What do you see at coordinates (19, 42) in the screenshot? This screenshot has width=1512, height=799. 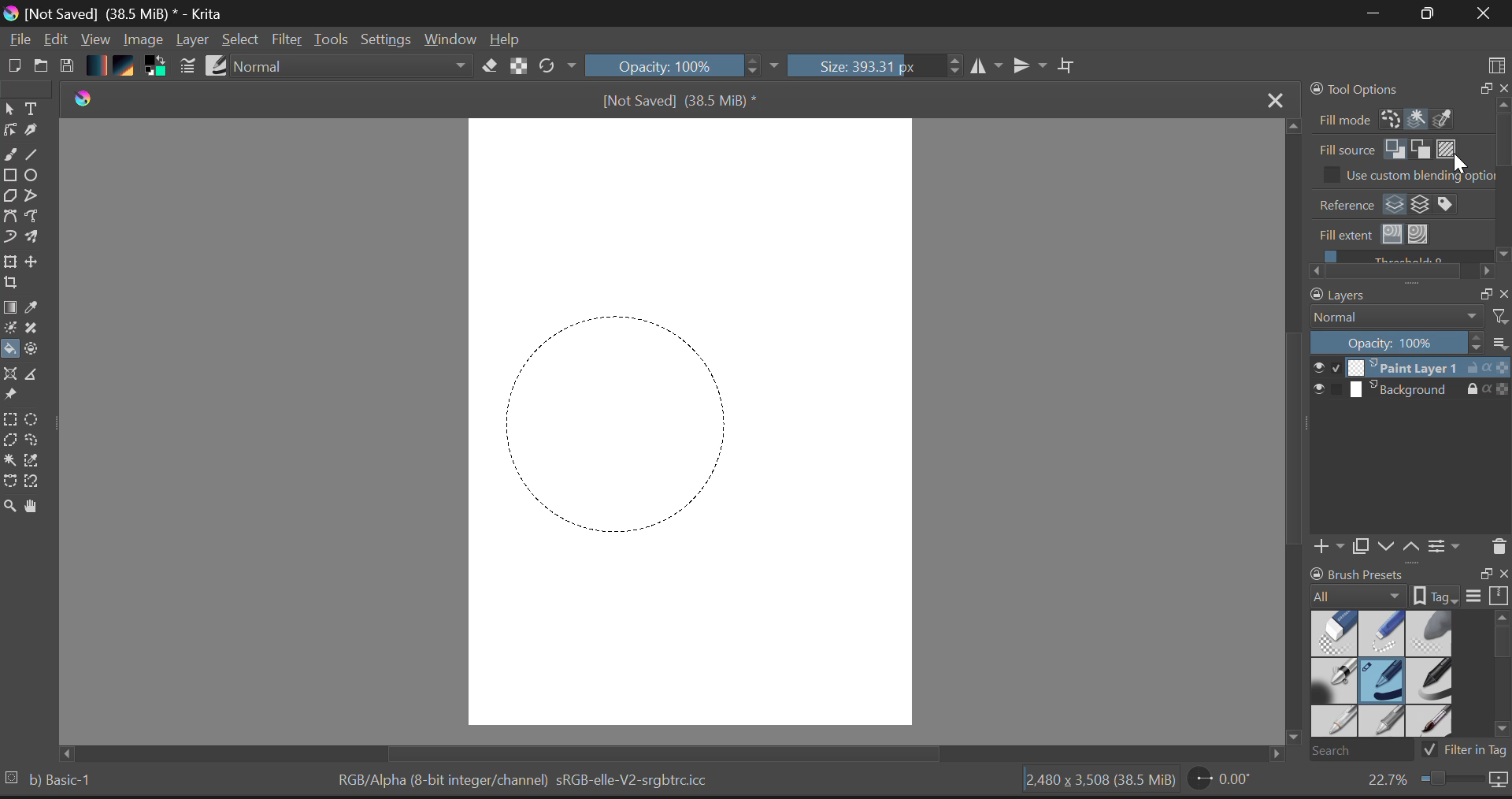 I see `File` at bounding box center [19, 42].